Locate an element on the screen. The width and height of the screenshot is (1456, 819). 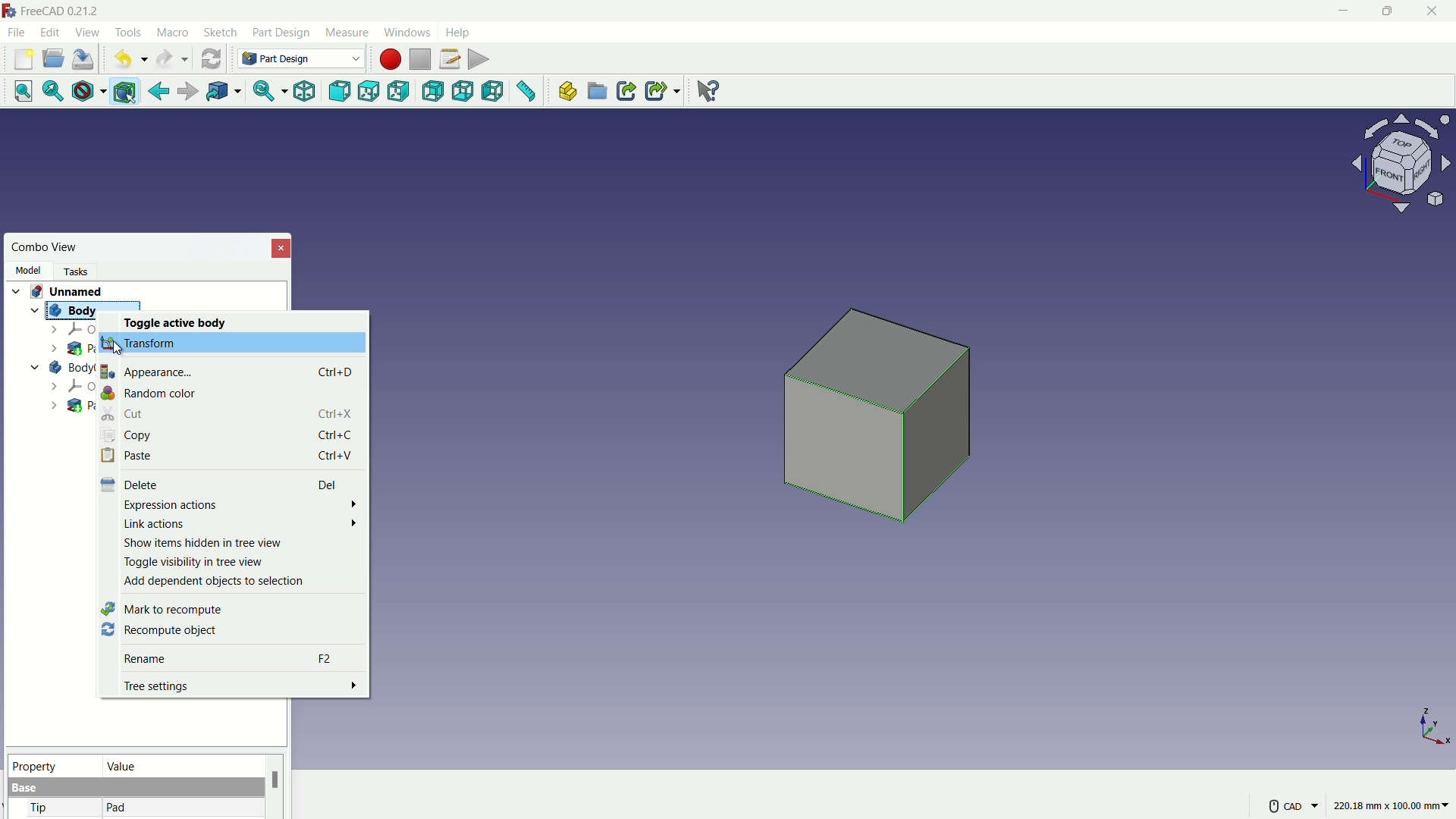
tip is located at coordinates (40, 809).